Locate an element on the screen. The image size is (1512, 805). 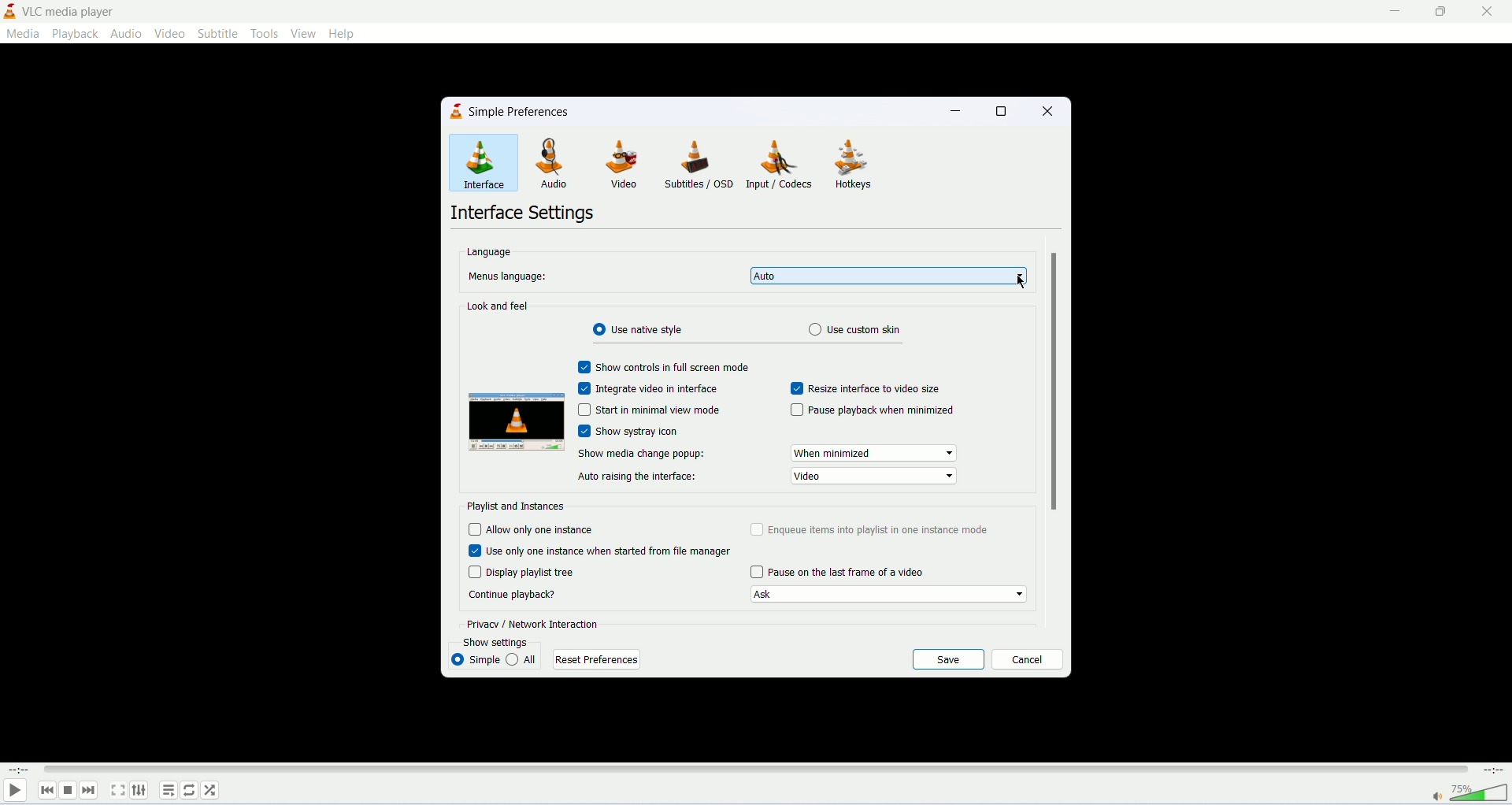
Look and feel is located at coordinates (498, 306).